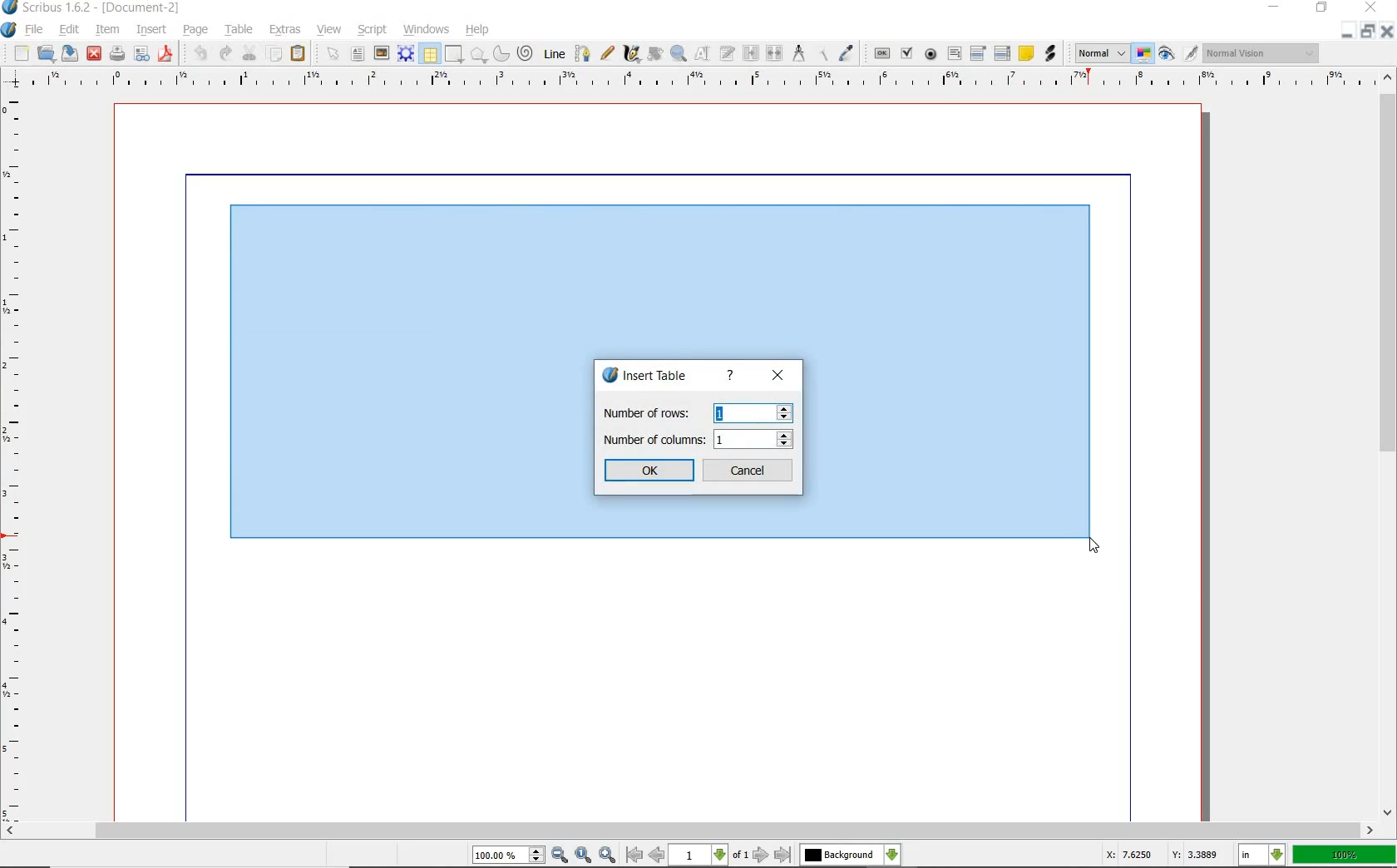  I want to click on text annotation, so click(1026, 52).